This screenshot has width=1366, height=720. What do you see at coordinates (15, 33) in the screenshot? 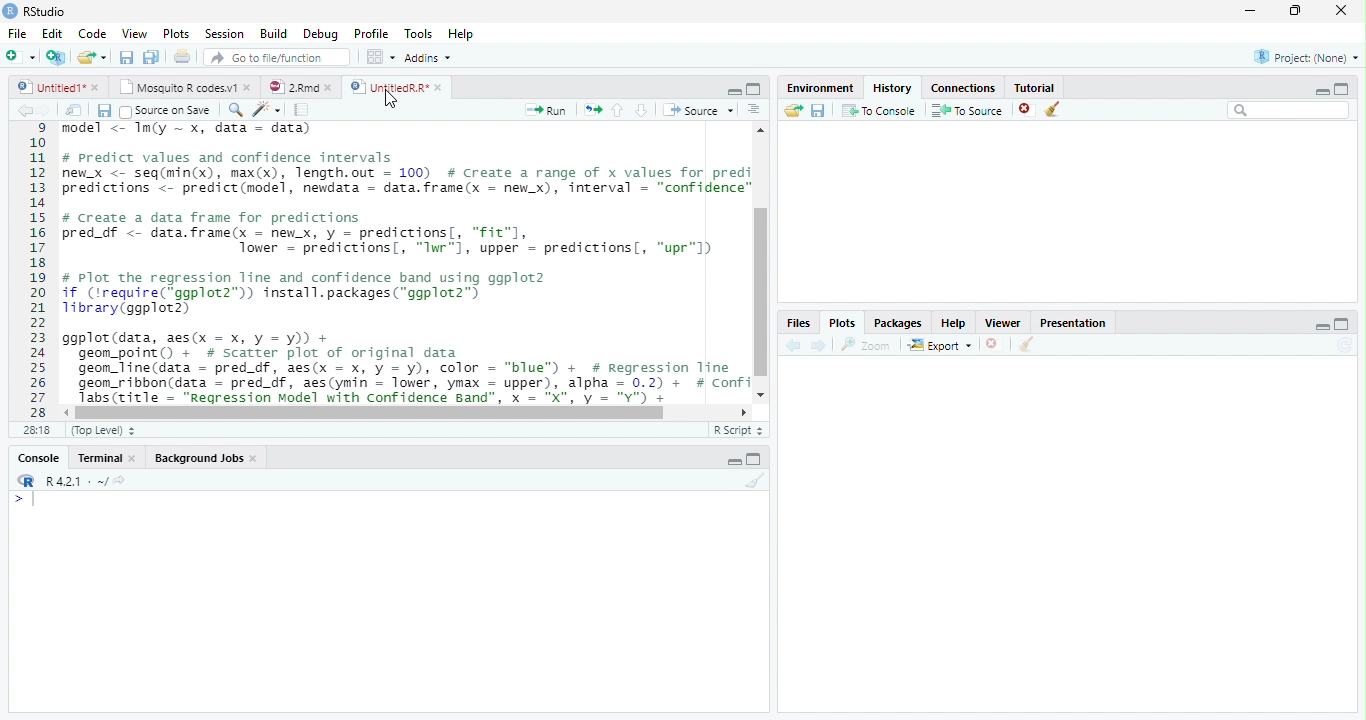
I see `File` at bounding box center [15, 33].